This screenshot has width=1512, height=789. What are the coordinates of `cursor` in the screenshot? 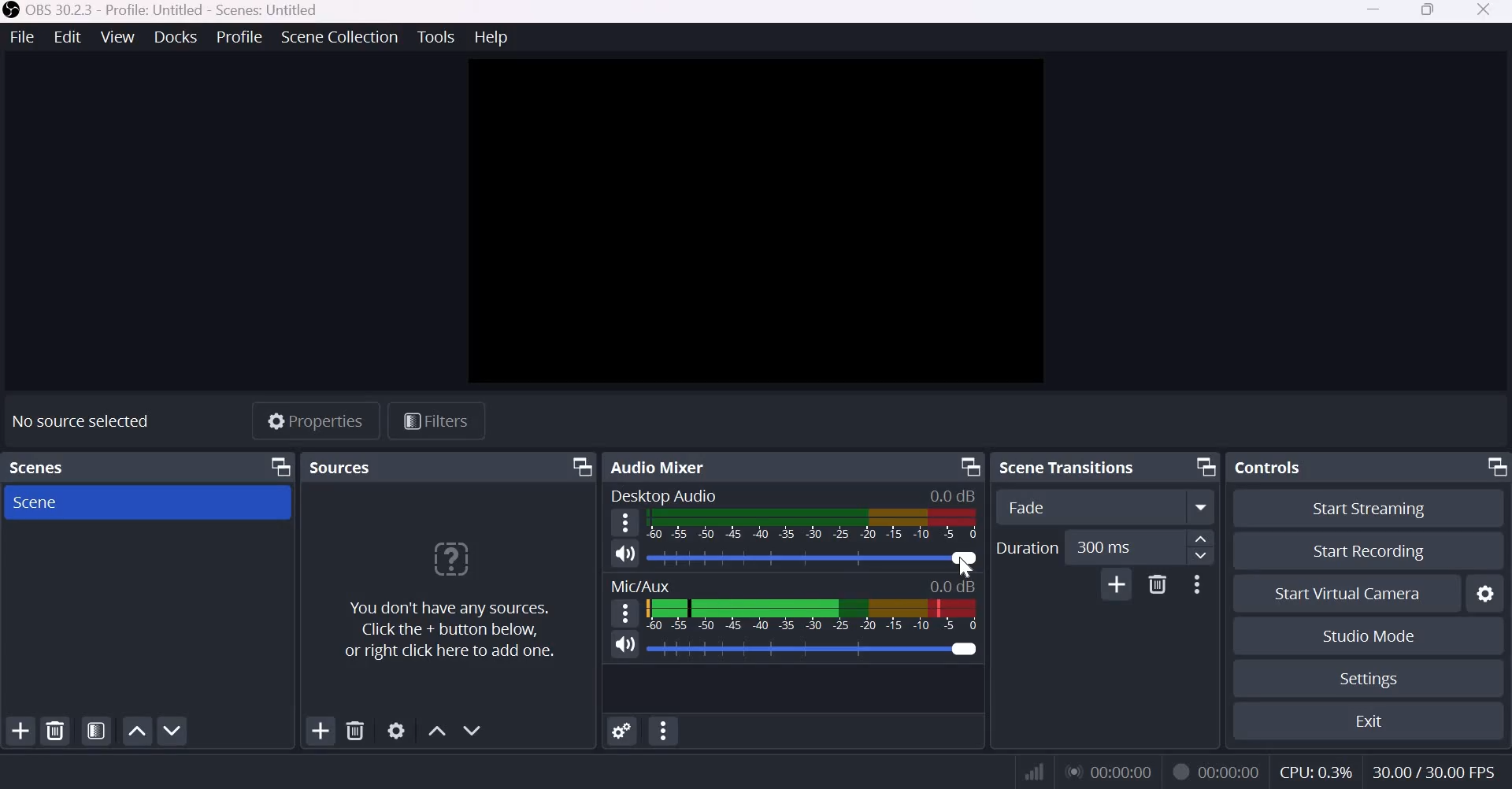 It's located at (973, 569).